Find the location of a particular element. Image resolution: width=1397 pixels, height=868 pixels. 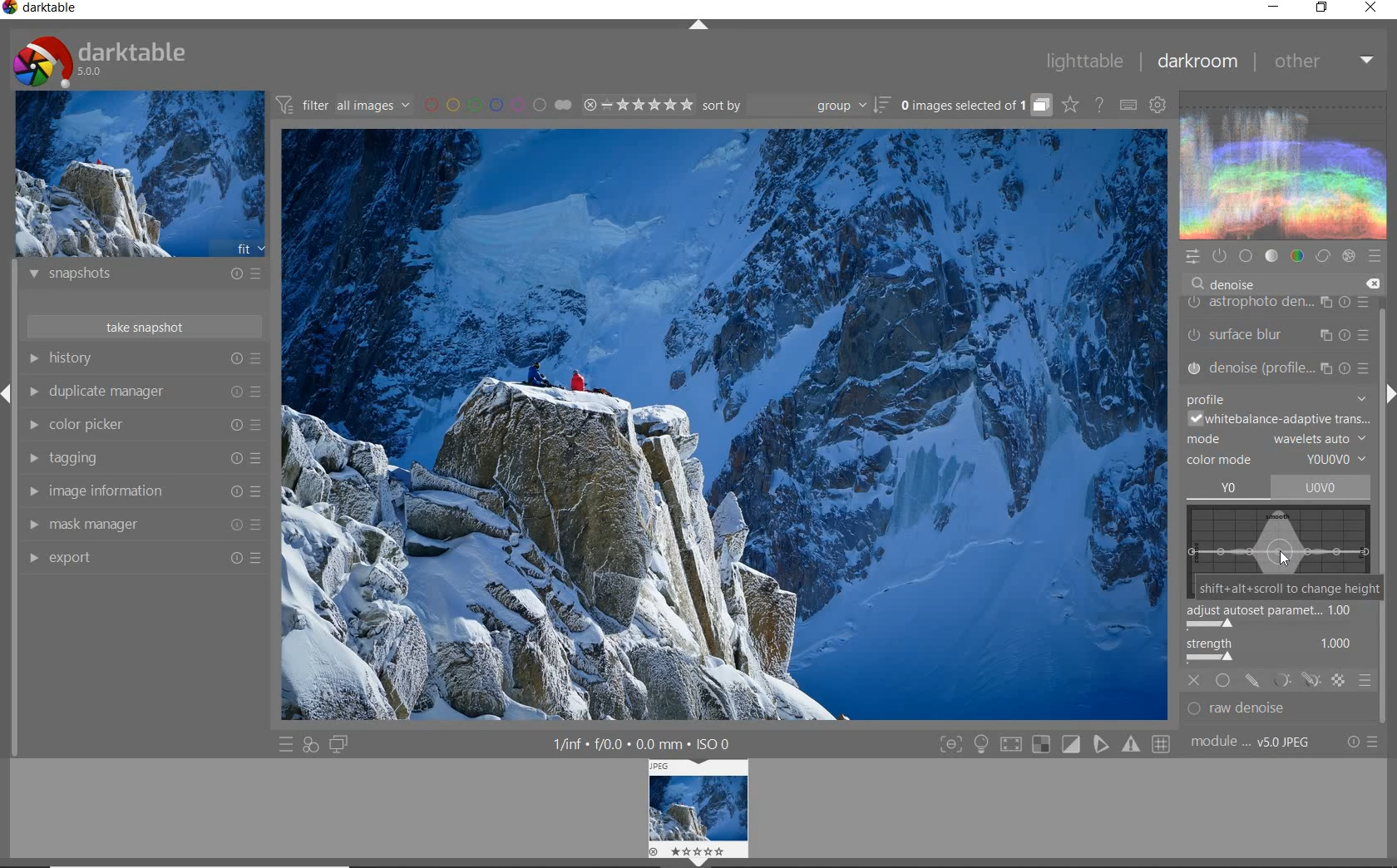

range ratings for selected images is located at coordinates (639, 105).